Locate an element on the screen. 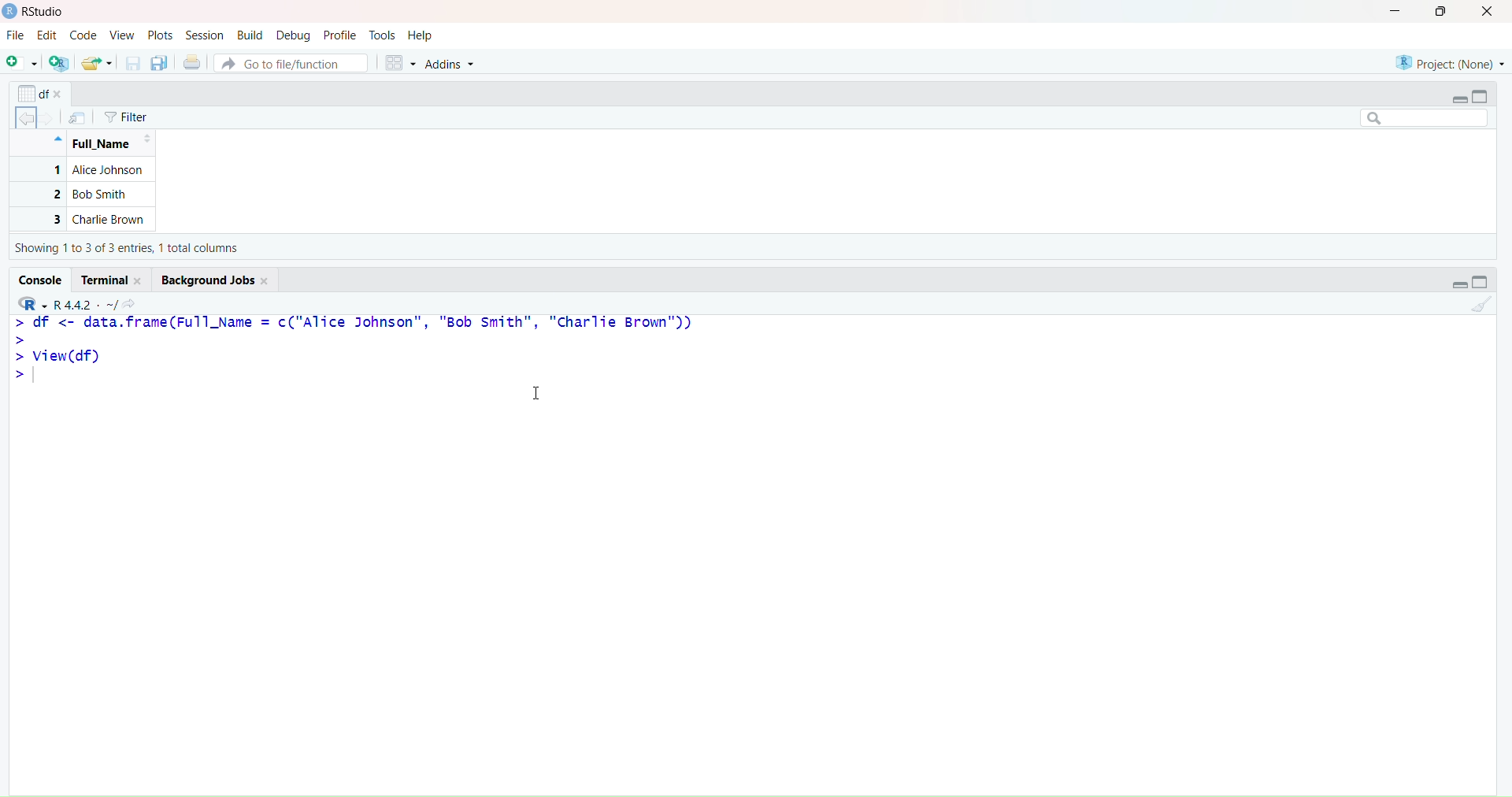 The height and width of the screenshot is (797, 1512). Project (None) is located at coordinates (1449, 57).